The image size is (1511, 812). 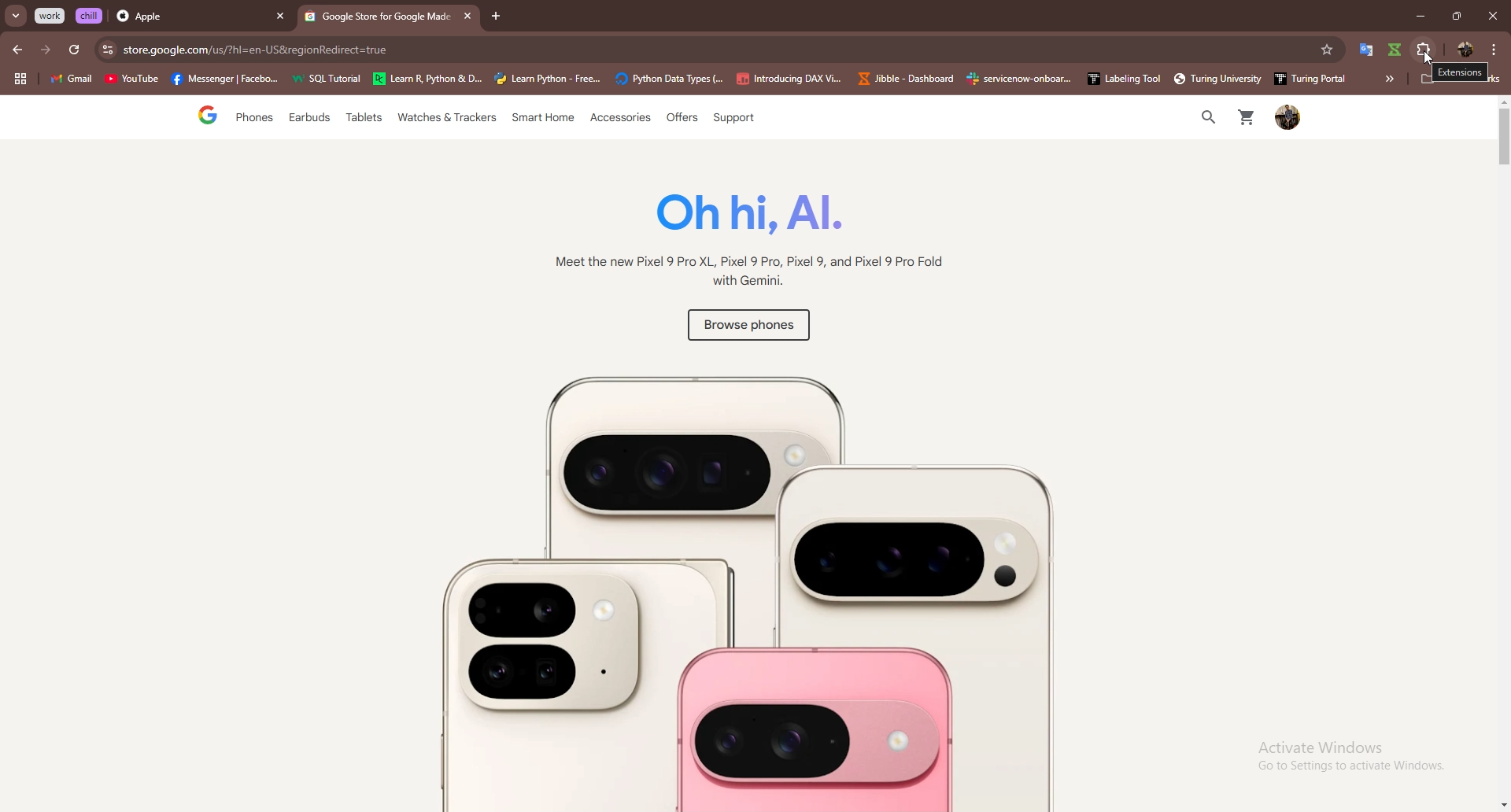 What do you see at coordinates (311, 121) in the screenshot?
I see `Earbuds` at bounding box center [311, 121].